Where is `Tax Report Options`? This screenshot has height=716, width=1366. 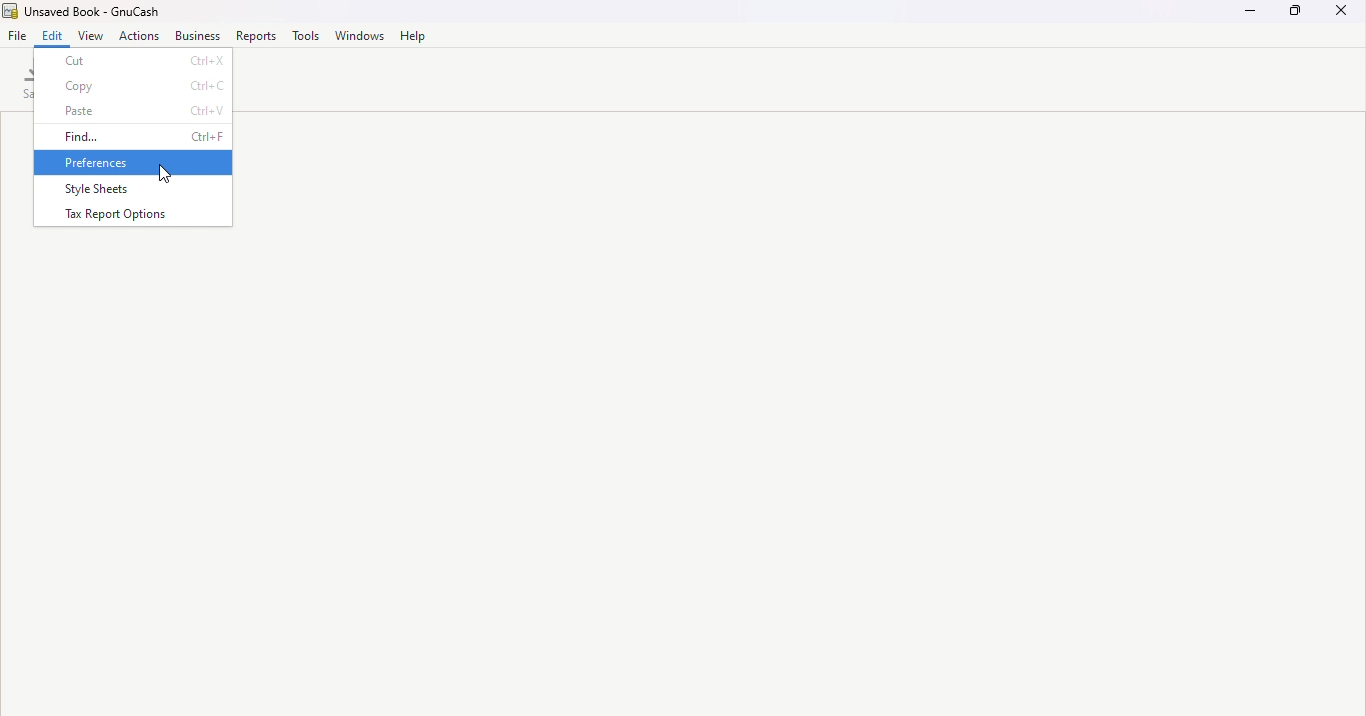 Tax Report Options is located at coordinates (135, 216).